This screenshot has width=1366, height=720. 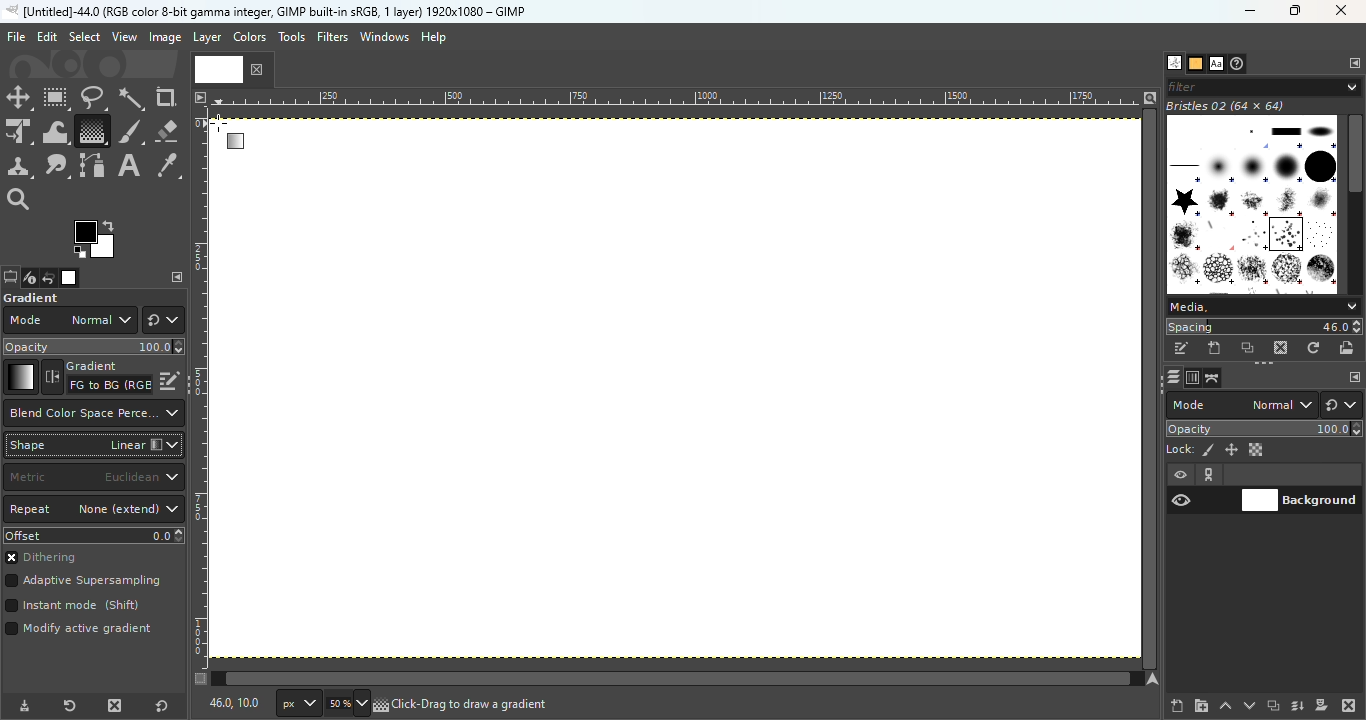 What do you see at coordinates (1247, 11) in the screenshot?
I see `Minimize` at bounding box center [1247, 11].